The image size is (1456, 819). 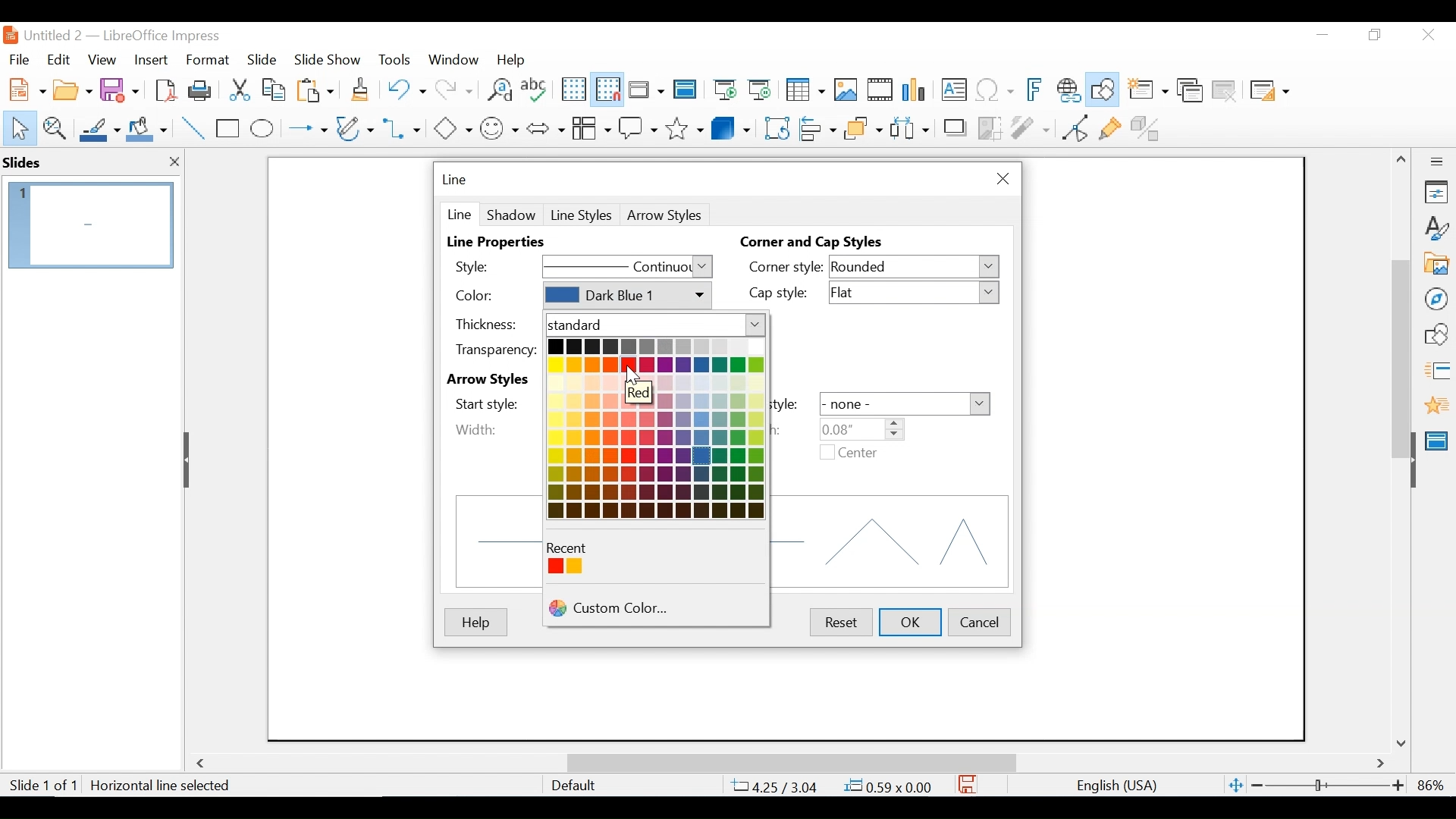 What do you see at coordinates (1437, 162) in the screenshot?
I see `Sidebar Settings` at bounding box center [1437, 162].